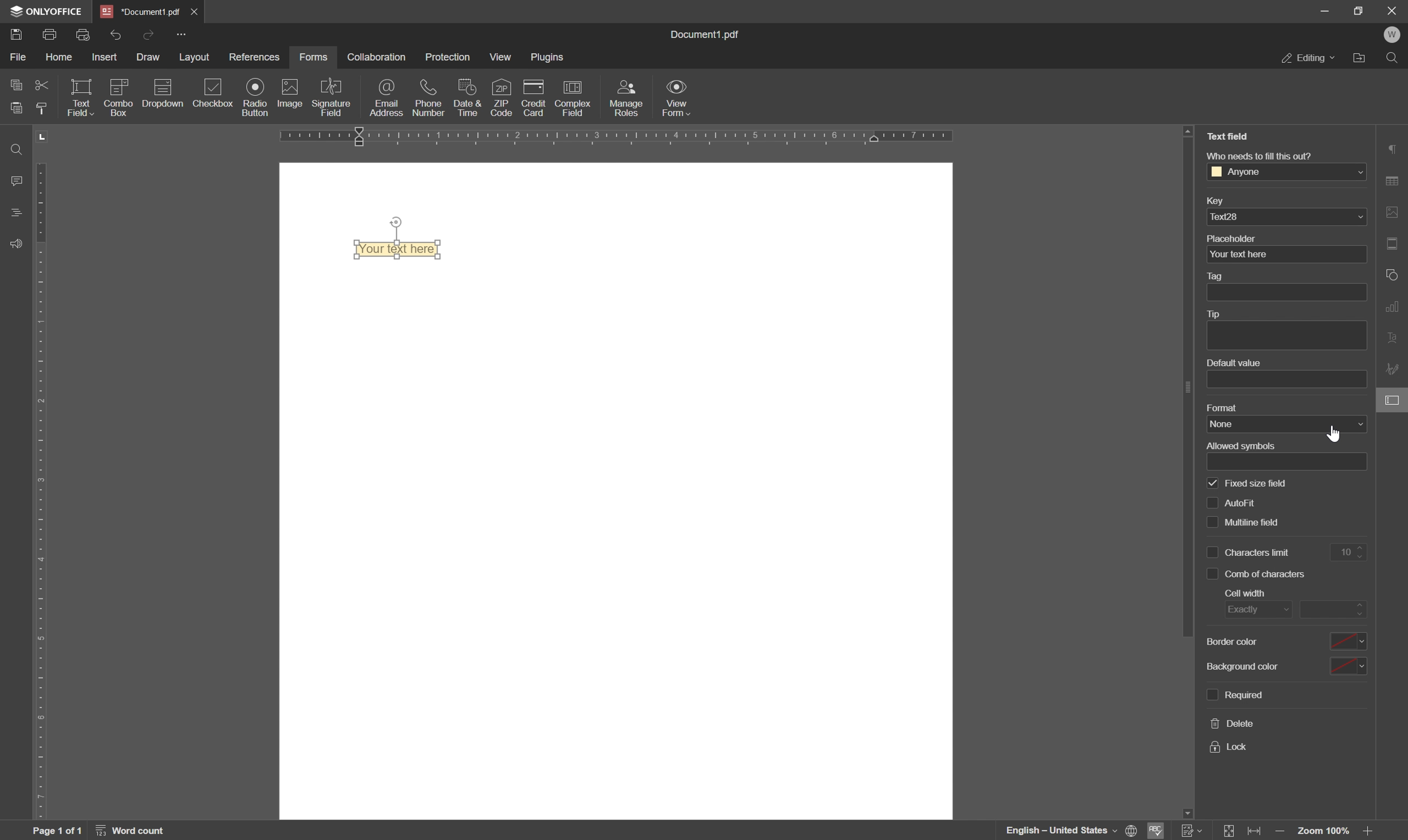 The height and width of the screenshot is (840, 1408). Describe the element at coordinates (1193, 832) in the screenshot. I see `Track changes` at that location.